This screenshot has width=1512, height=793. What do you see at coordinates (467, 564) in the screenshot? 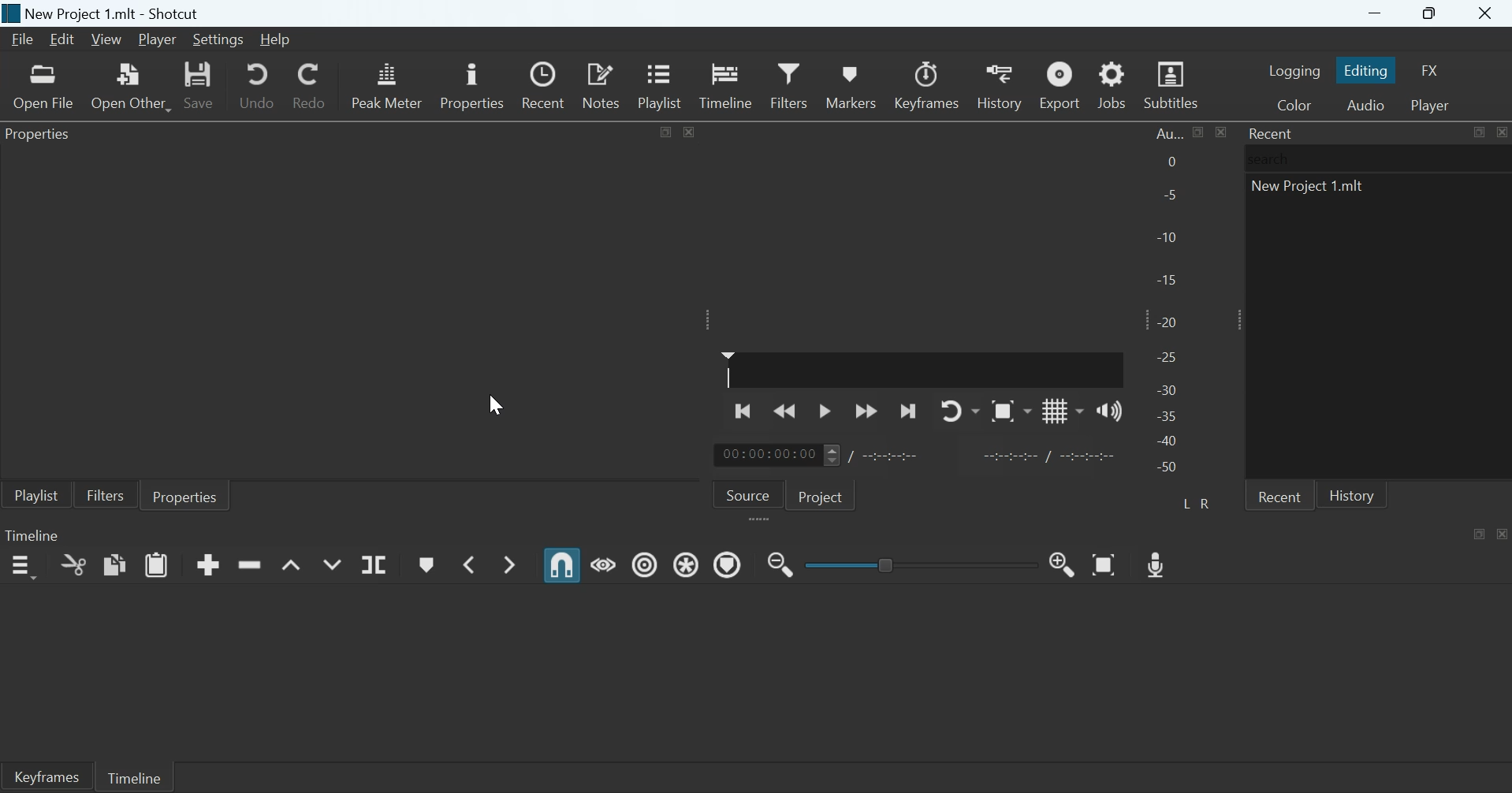
I see `Previous marker` at bounding box center [467, 564].